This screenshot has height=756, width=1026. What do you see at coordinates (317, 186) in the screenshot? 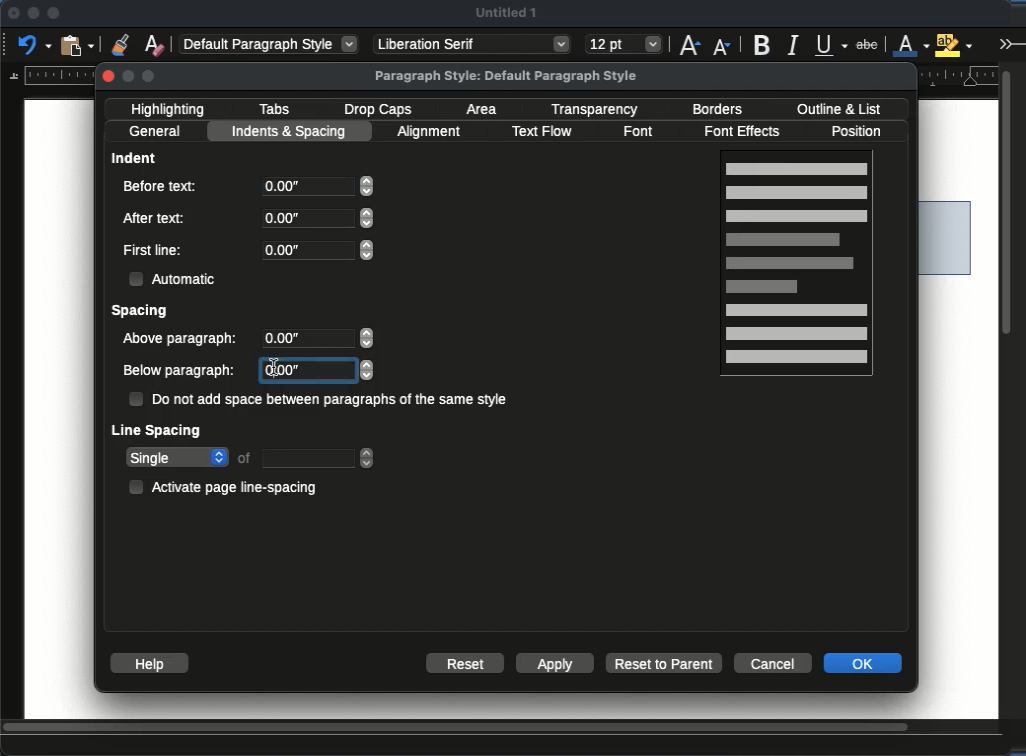
I see `0.00` at bounding box center [317, 186].